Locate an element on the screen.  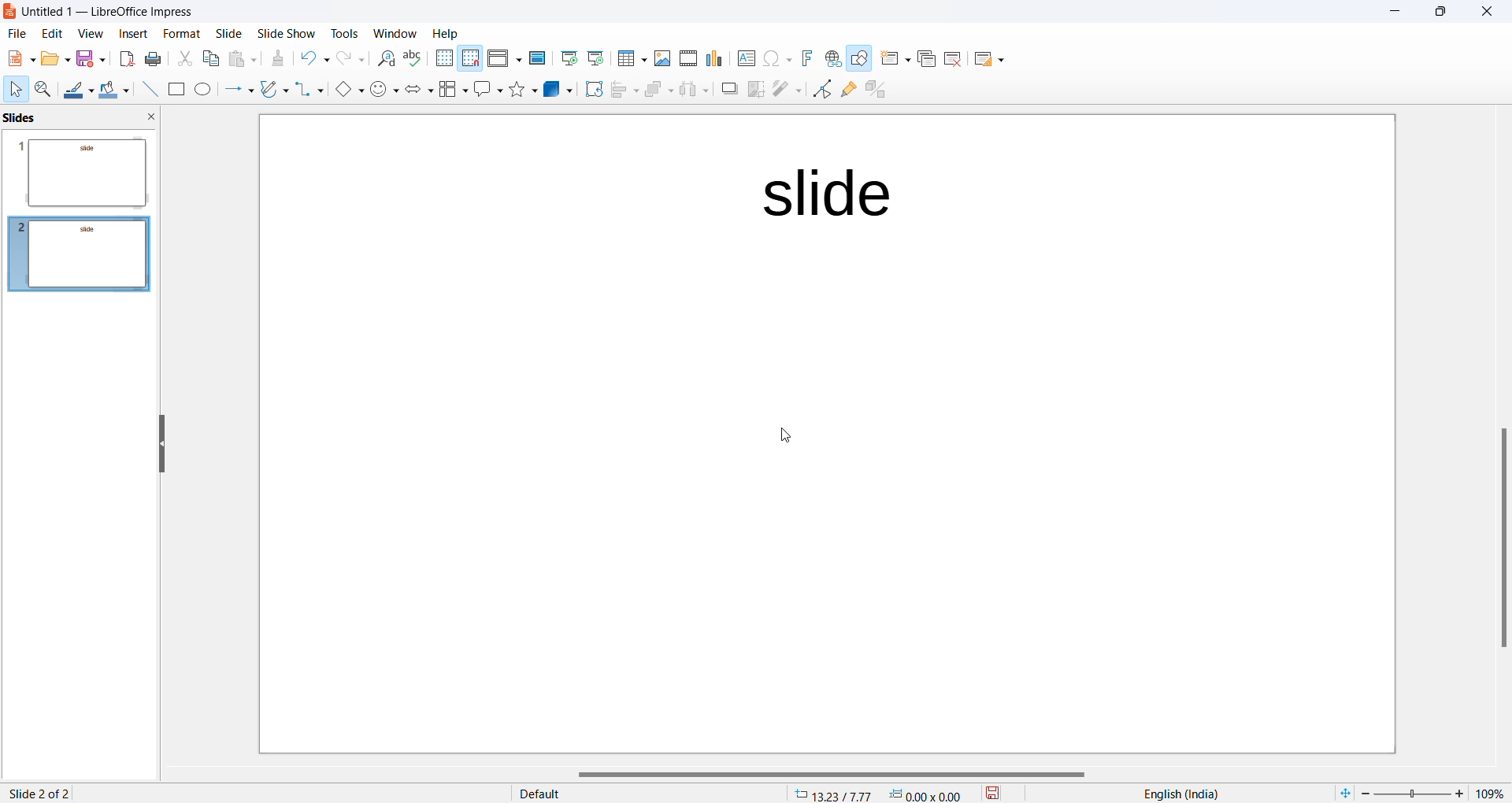
Snap to grid is located at coordinates (471, 58).